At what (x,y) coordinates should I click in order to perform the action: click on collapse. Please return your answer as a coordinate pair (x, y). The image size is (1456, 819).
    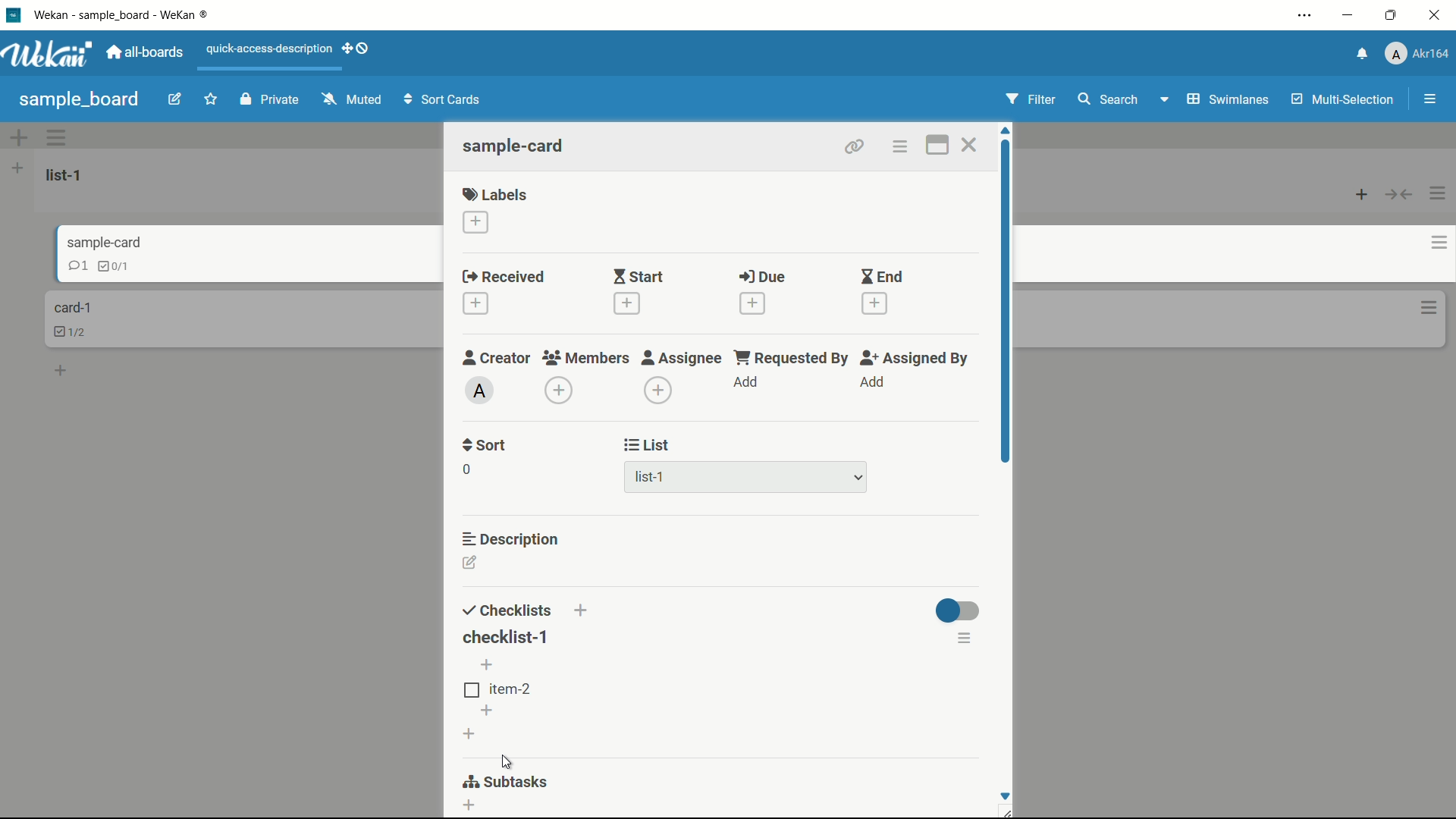
    Looking at the image, I should click on (1399, 196).